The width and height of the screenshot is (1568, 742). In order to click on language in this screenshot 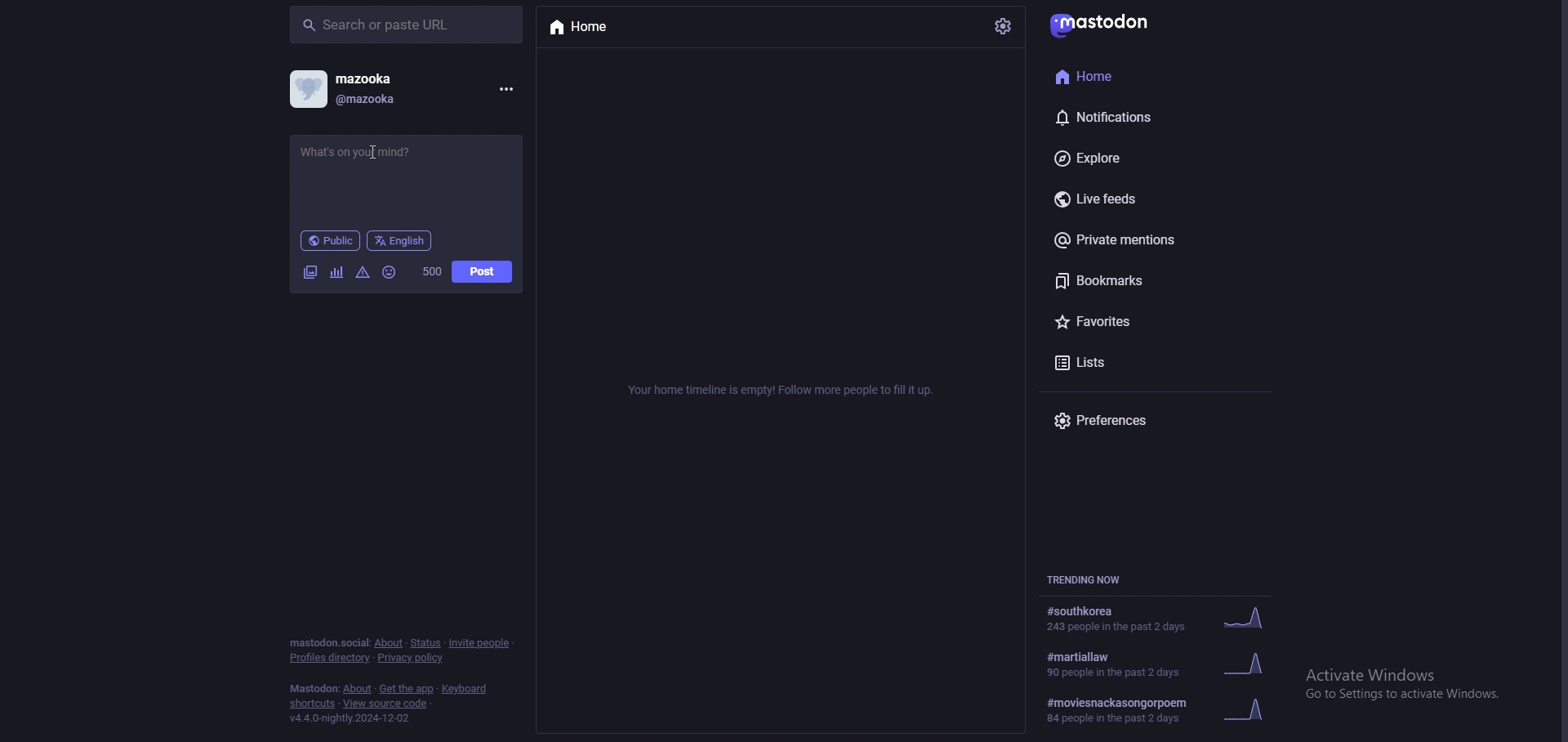, I will do `click(400, 240)`.